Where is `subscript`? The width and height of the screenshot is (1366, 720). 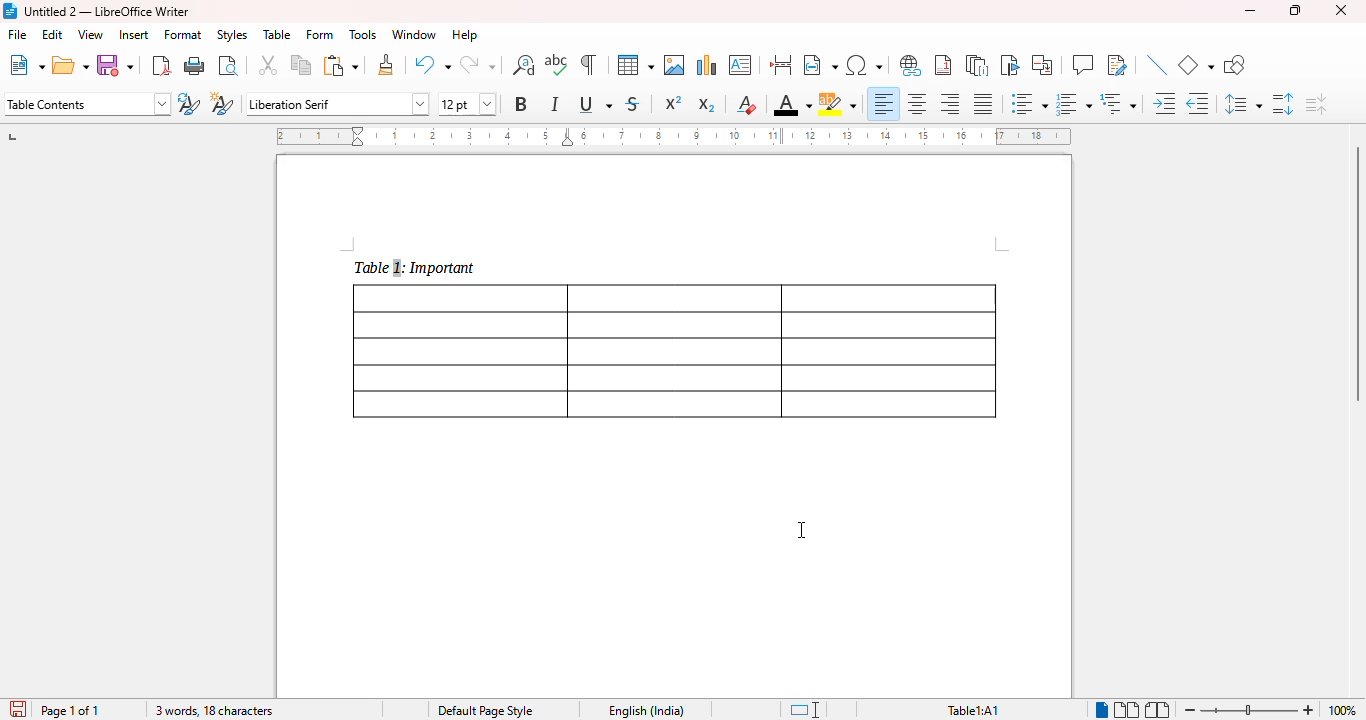 subscript is located at coordinates (707, 105).